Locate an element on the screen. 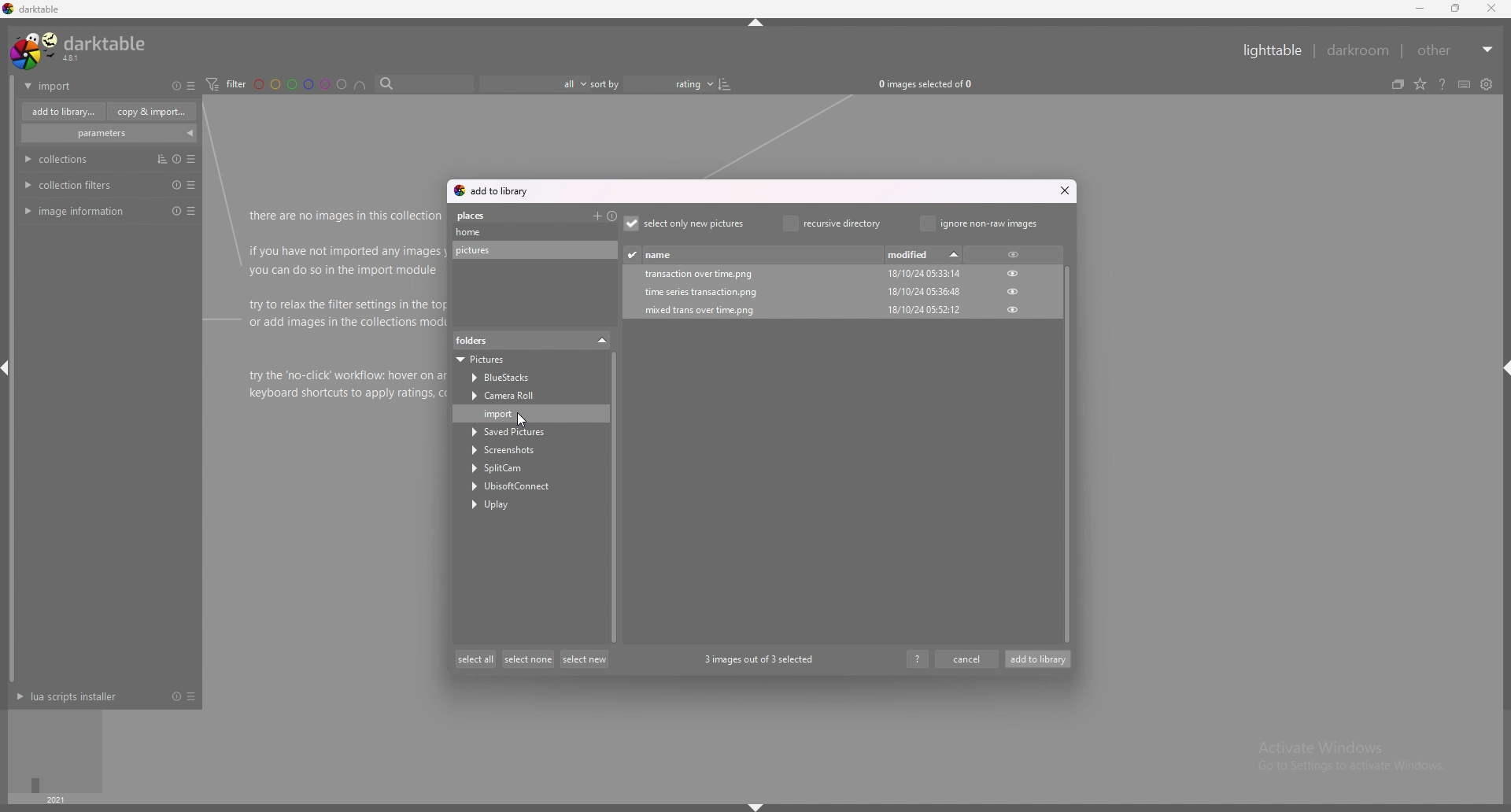 The image size is (1511, 812). add to library is located at coordinates (1038, 659).